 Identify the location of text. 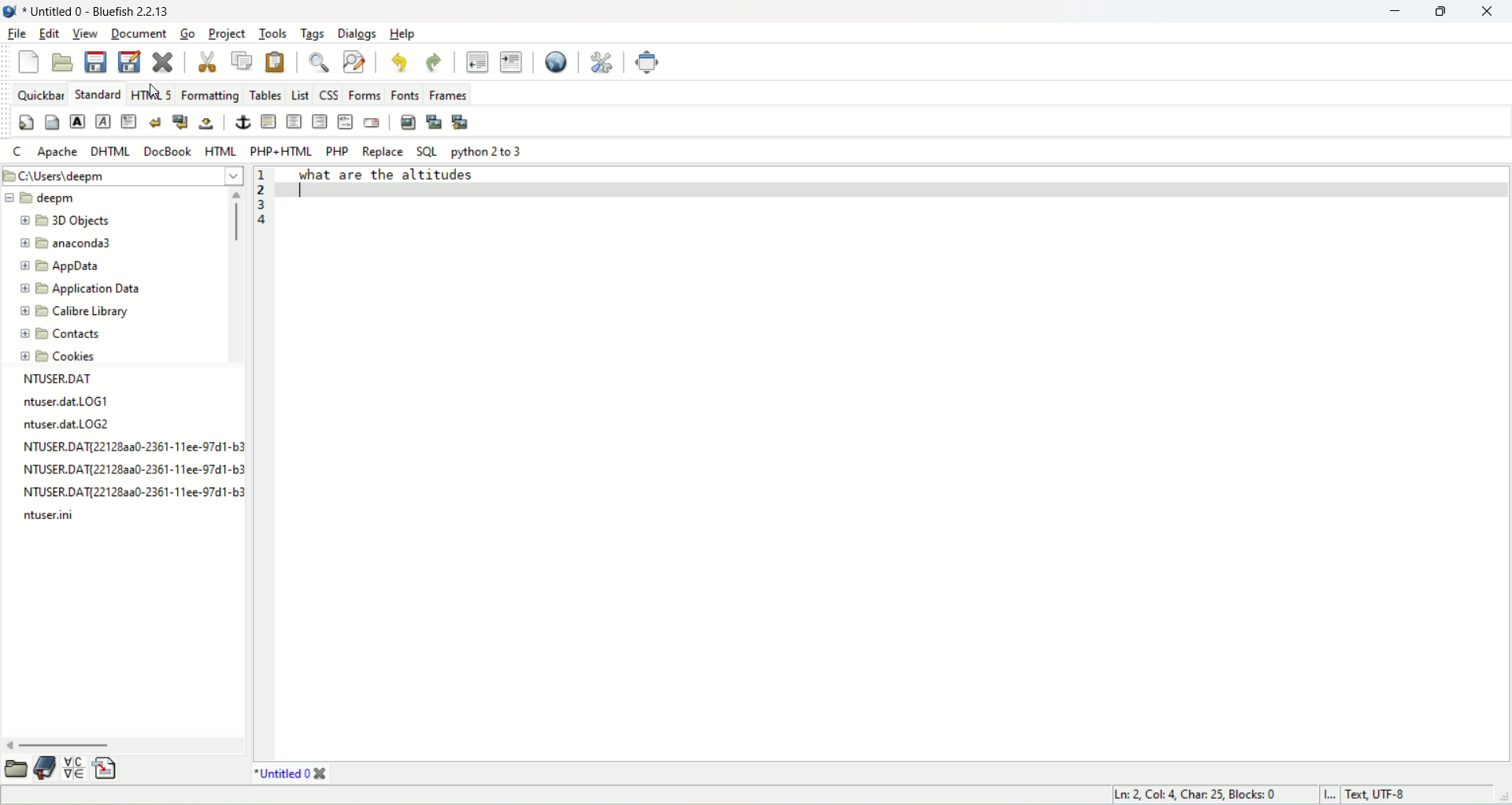
(130, 450).